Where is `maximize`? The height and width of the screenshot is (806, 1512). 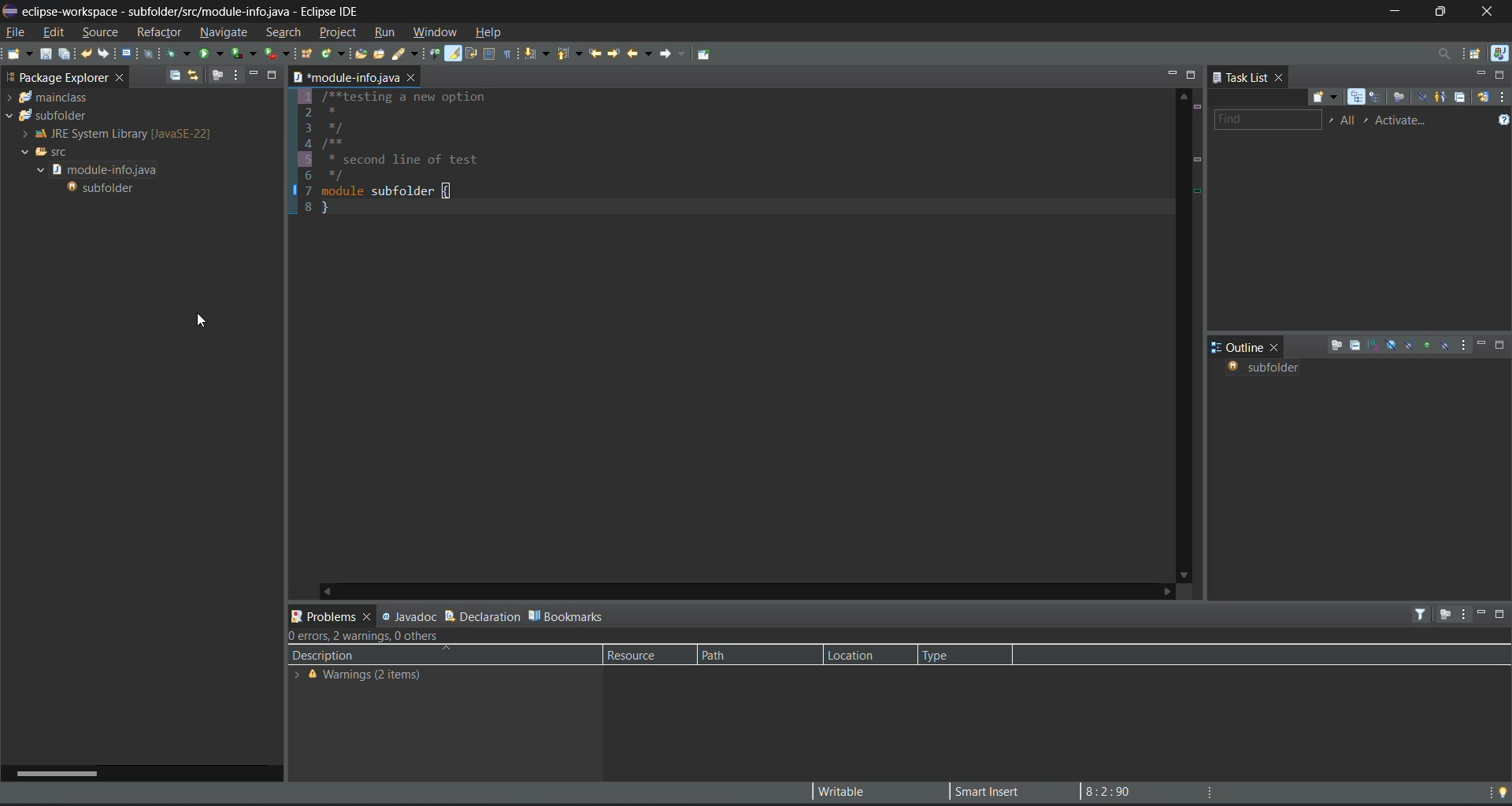
maximize is located at coordinates (1503, 616).